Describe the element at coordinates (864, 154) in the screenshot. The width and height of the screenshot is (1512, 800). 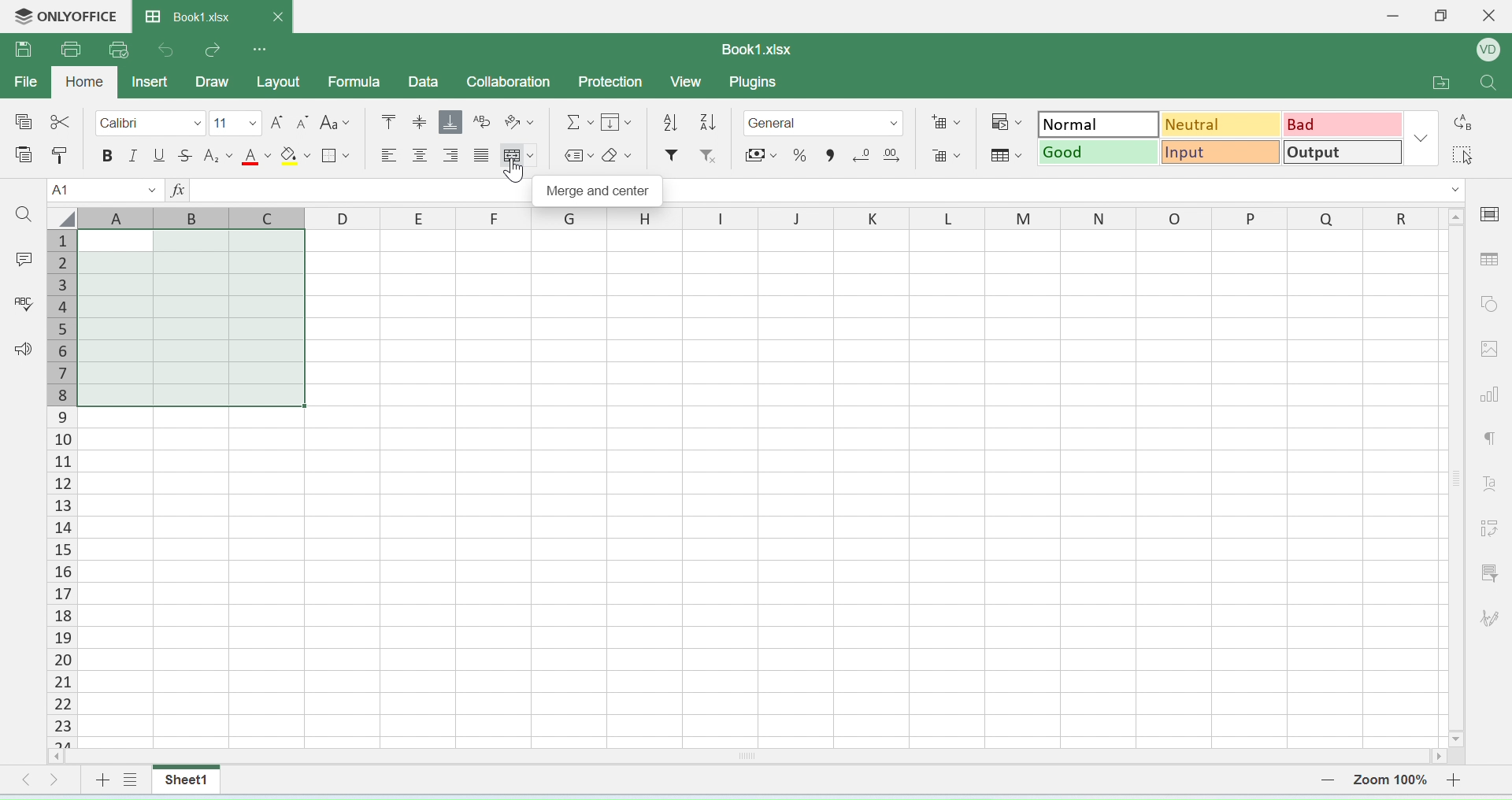
I see `remove decimal` at that location.